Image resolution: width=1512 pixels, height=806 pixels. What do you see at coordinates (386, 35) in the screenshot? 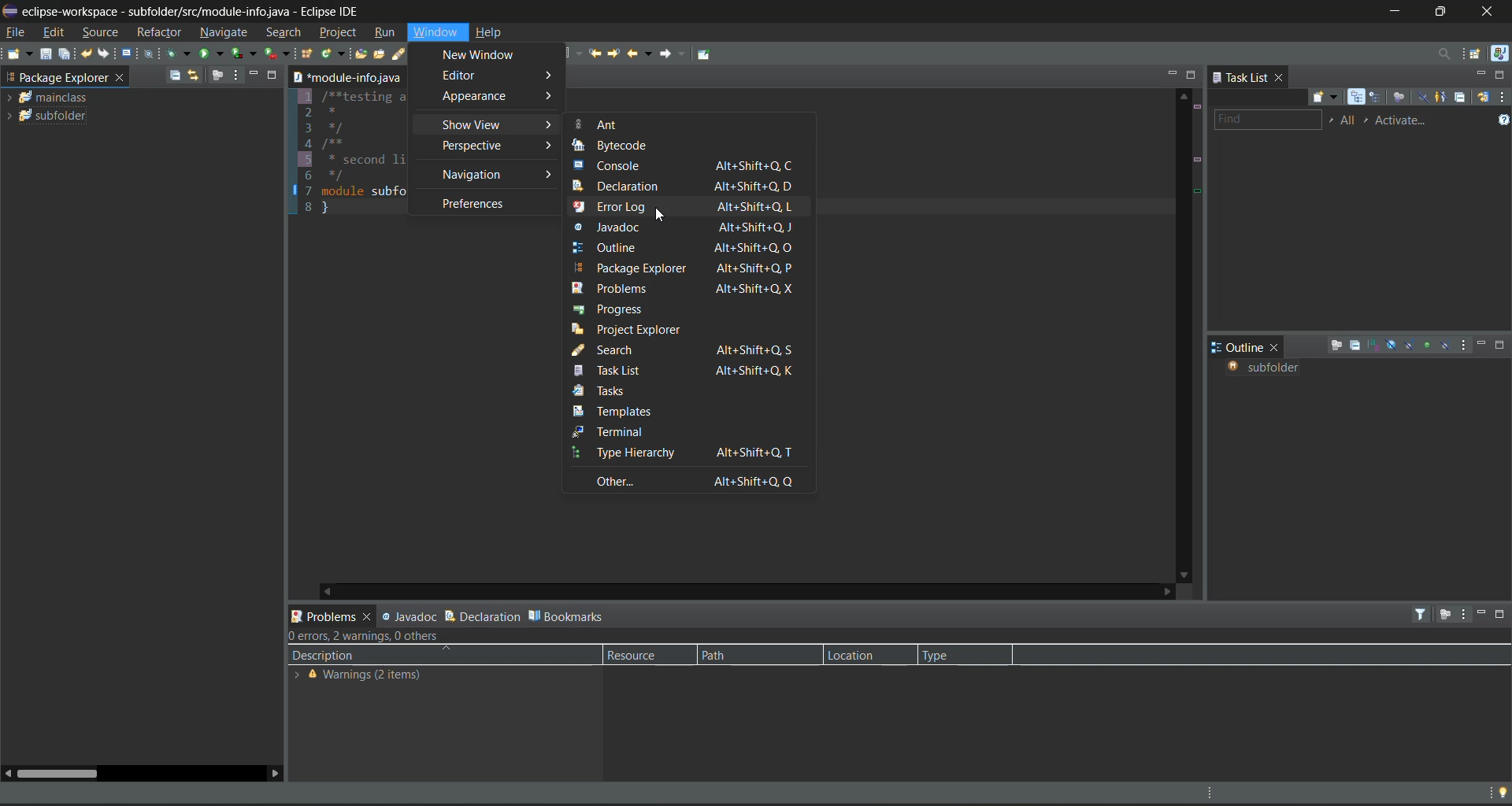
I see `run` at bounding box center [386, 35].